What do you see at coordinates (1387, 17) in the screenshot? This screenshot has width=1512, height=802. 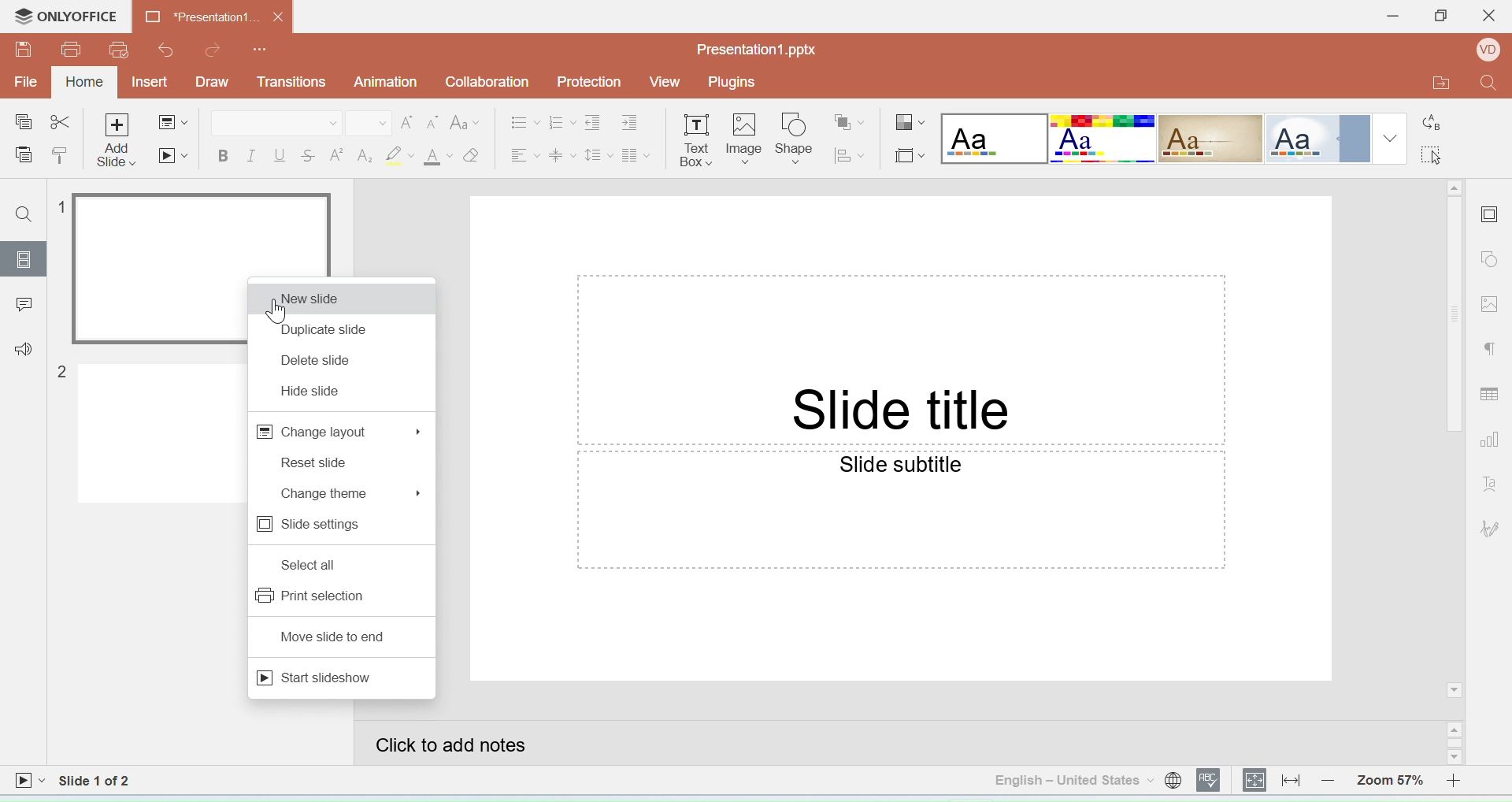 I see `Minimise` at bounding box center [1387, 17].